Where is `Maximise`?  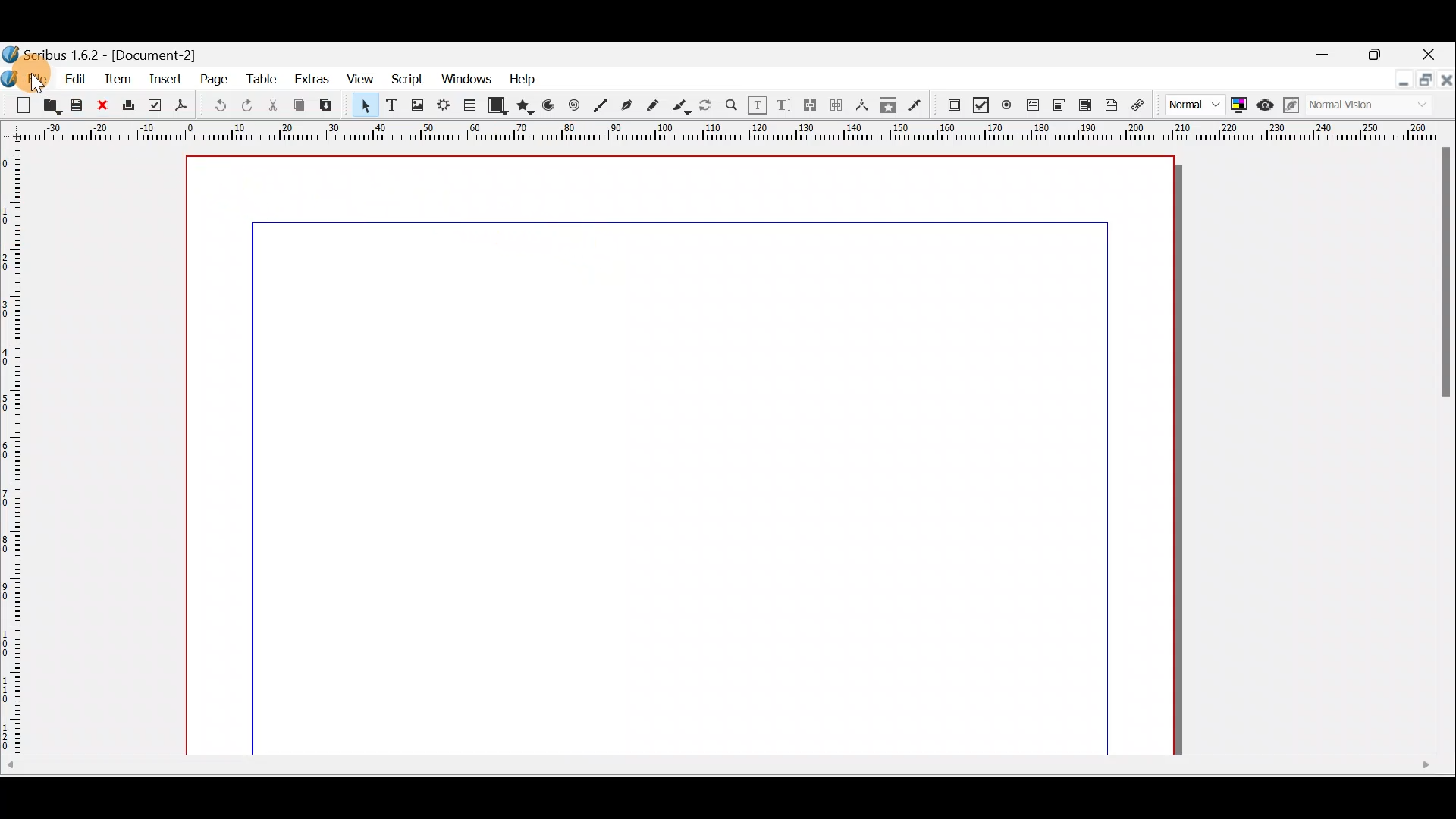 Maximise is located at coordinates (1385, 54).